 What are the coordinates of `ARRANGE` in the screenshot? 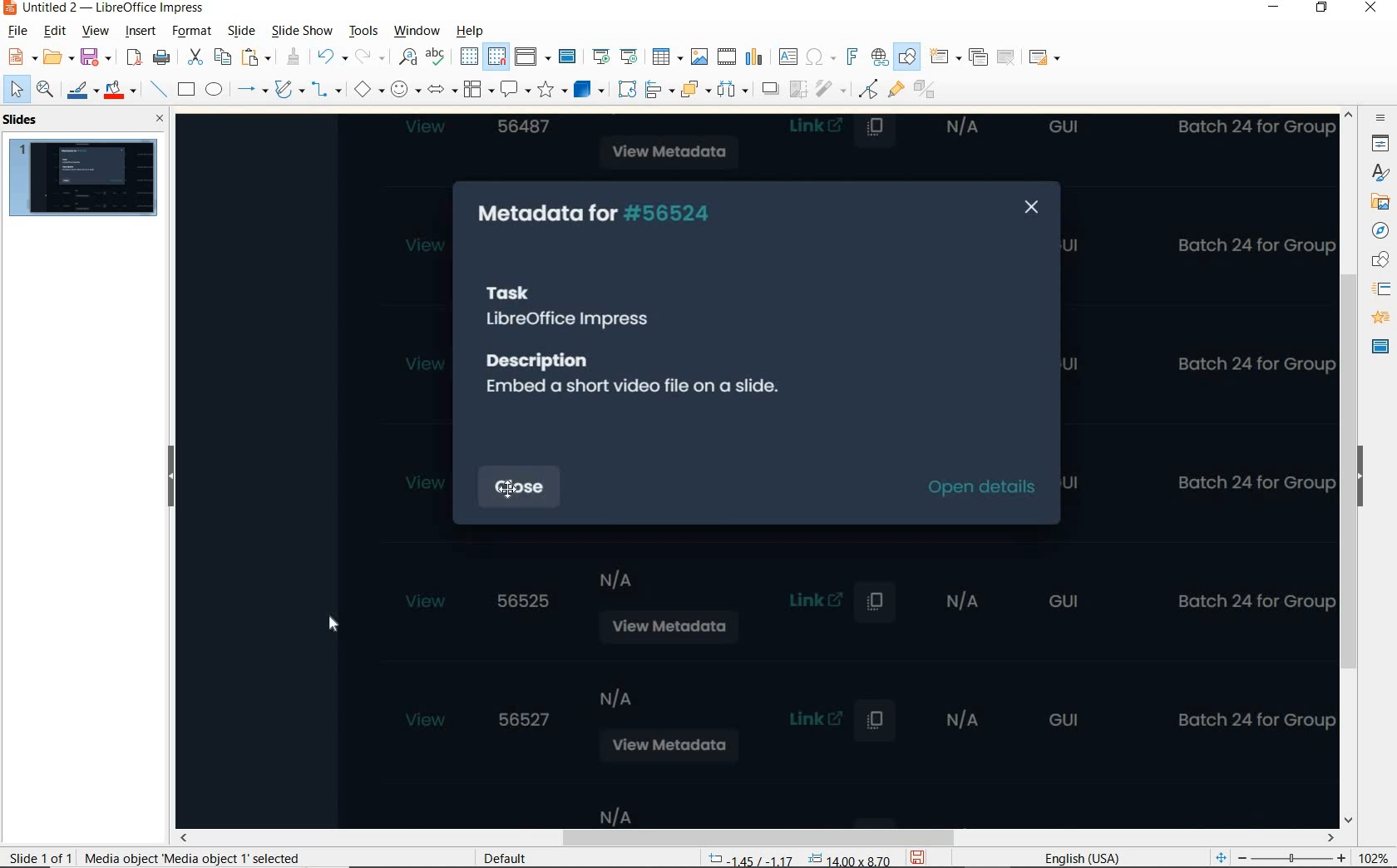 It's located at (693, 91).